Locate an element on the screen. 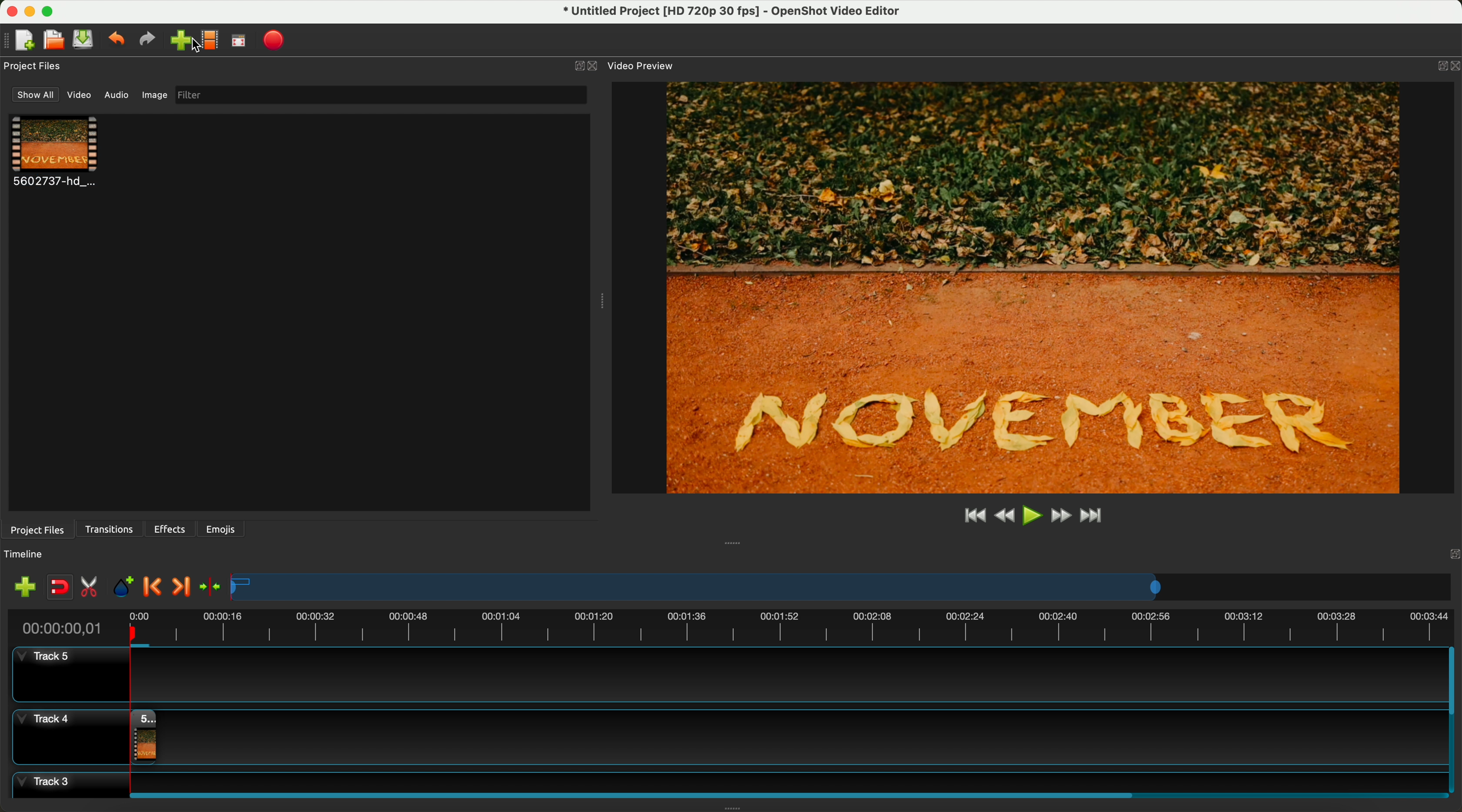  Window Expanding is located at coordinates (732, 807).